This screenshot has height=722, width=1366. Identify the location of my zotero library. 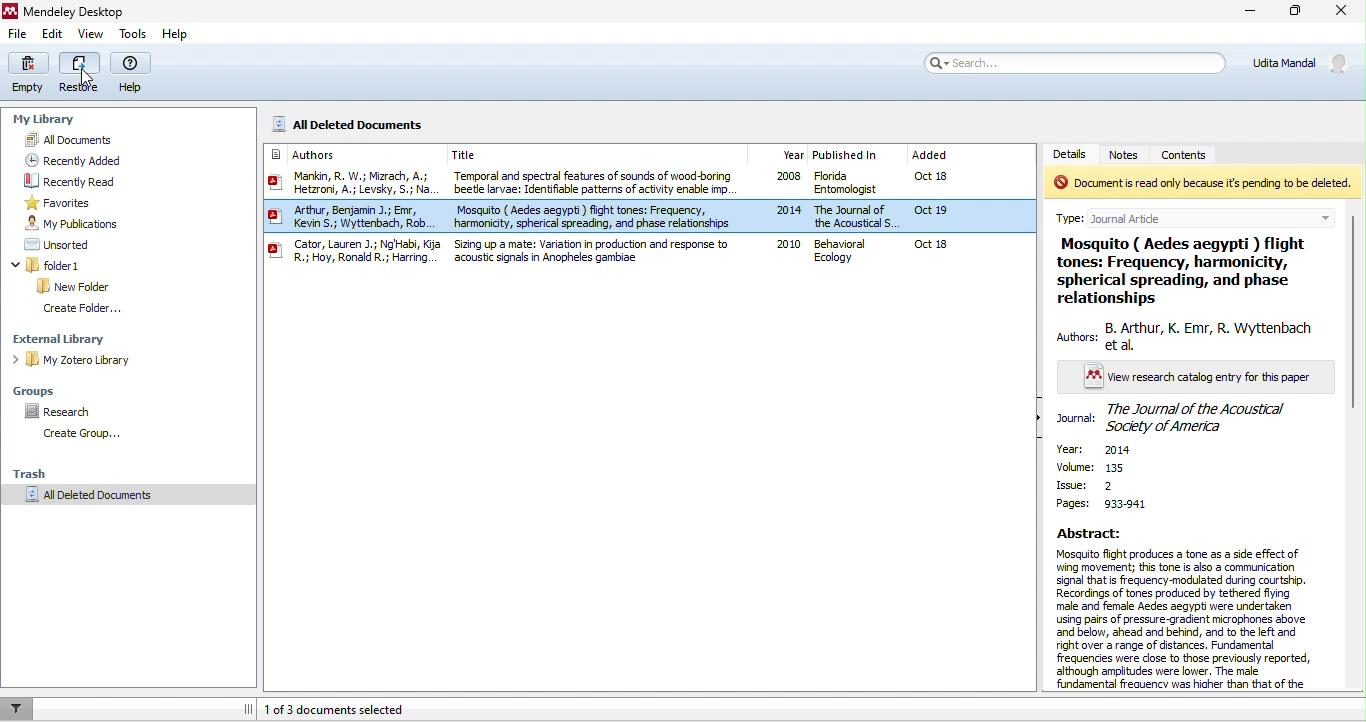
(80, 362).